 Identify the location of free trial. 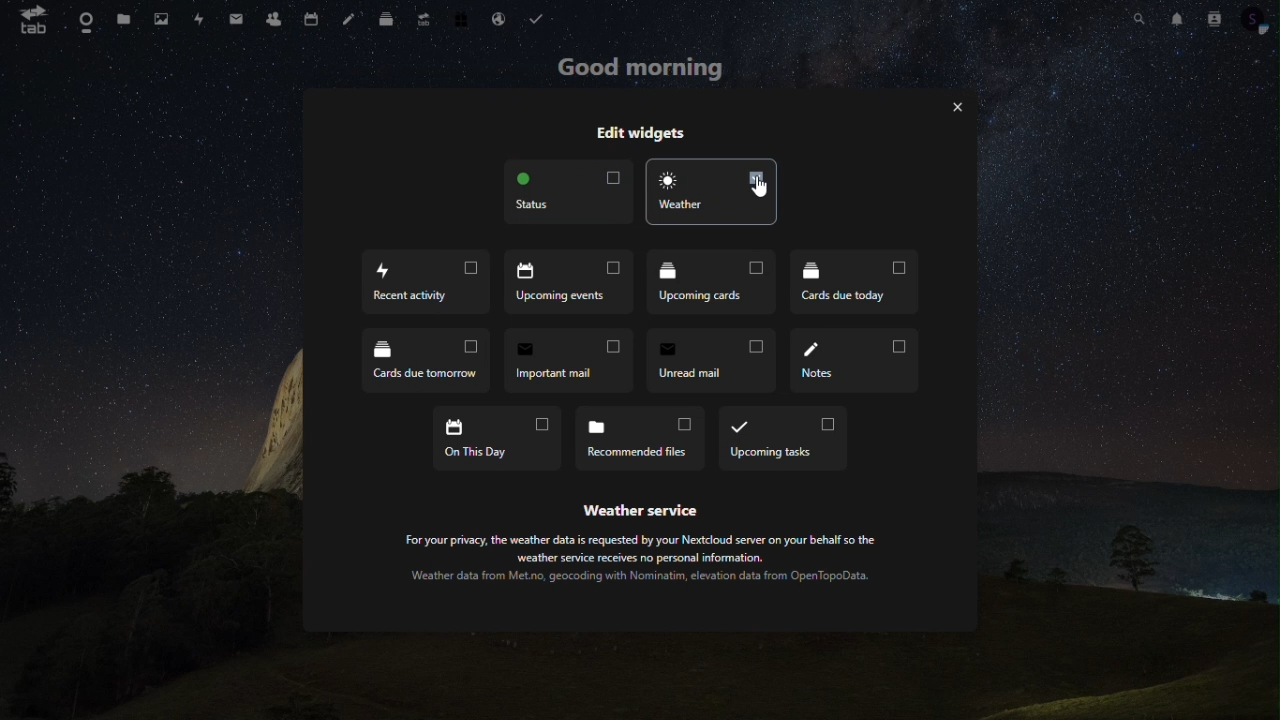
(464, 17).